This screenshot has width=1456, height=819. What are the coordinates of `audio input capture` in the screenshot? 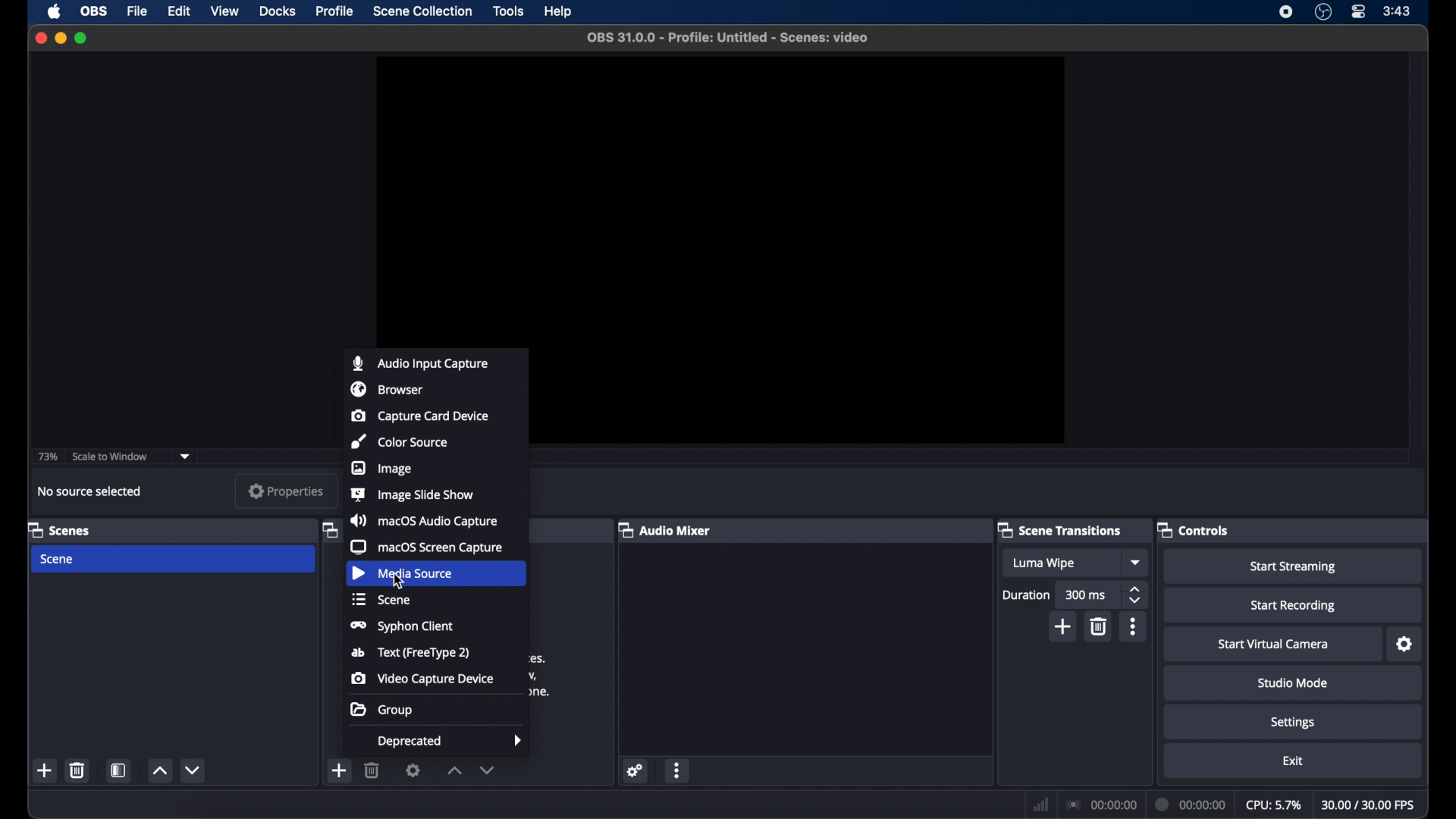 It's located at (420, 362).